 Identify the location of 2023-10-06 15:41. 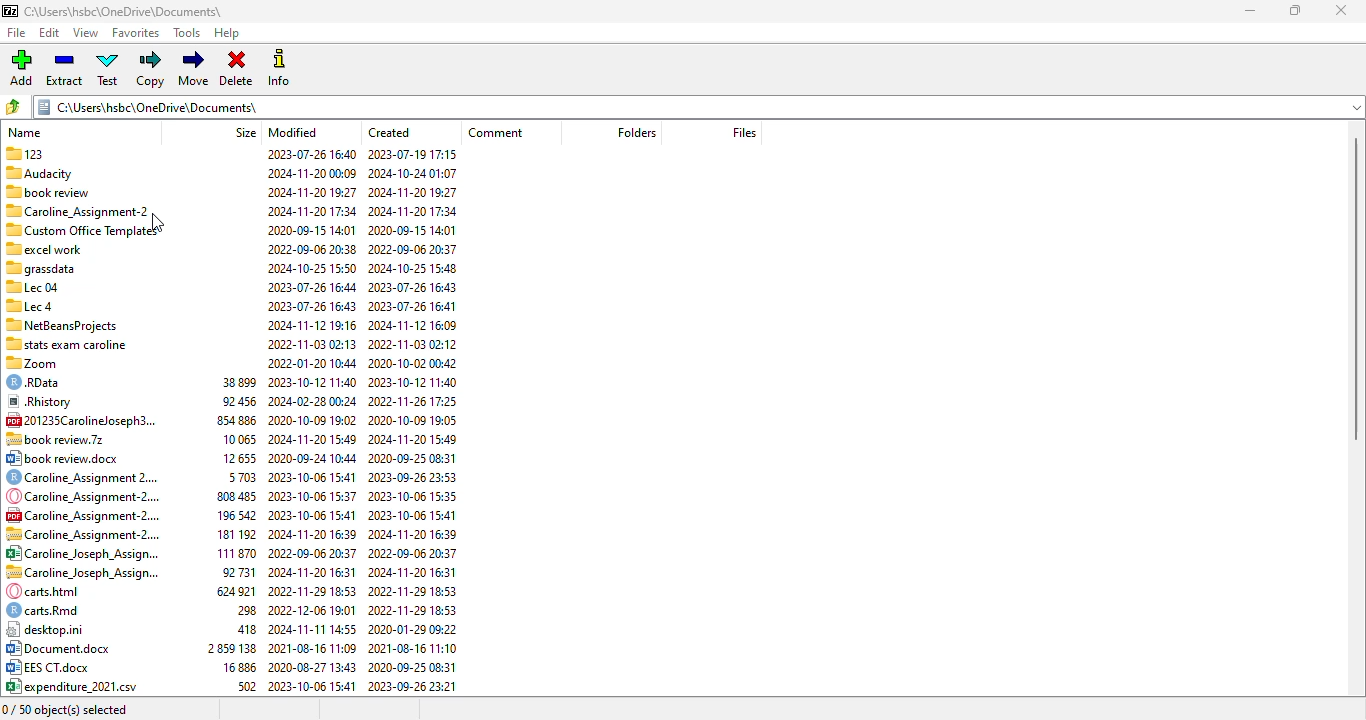
(311, 516).